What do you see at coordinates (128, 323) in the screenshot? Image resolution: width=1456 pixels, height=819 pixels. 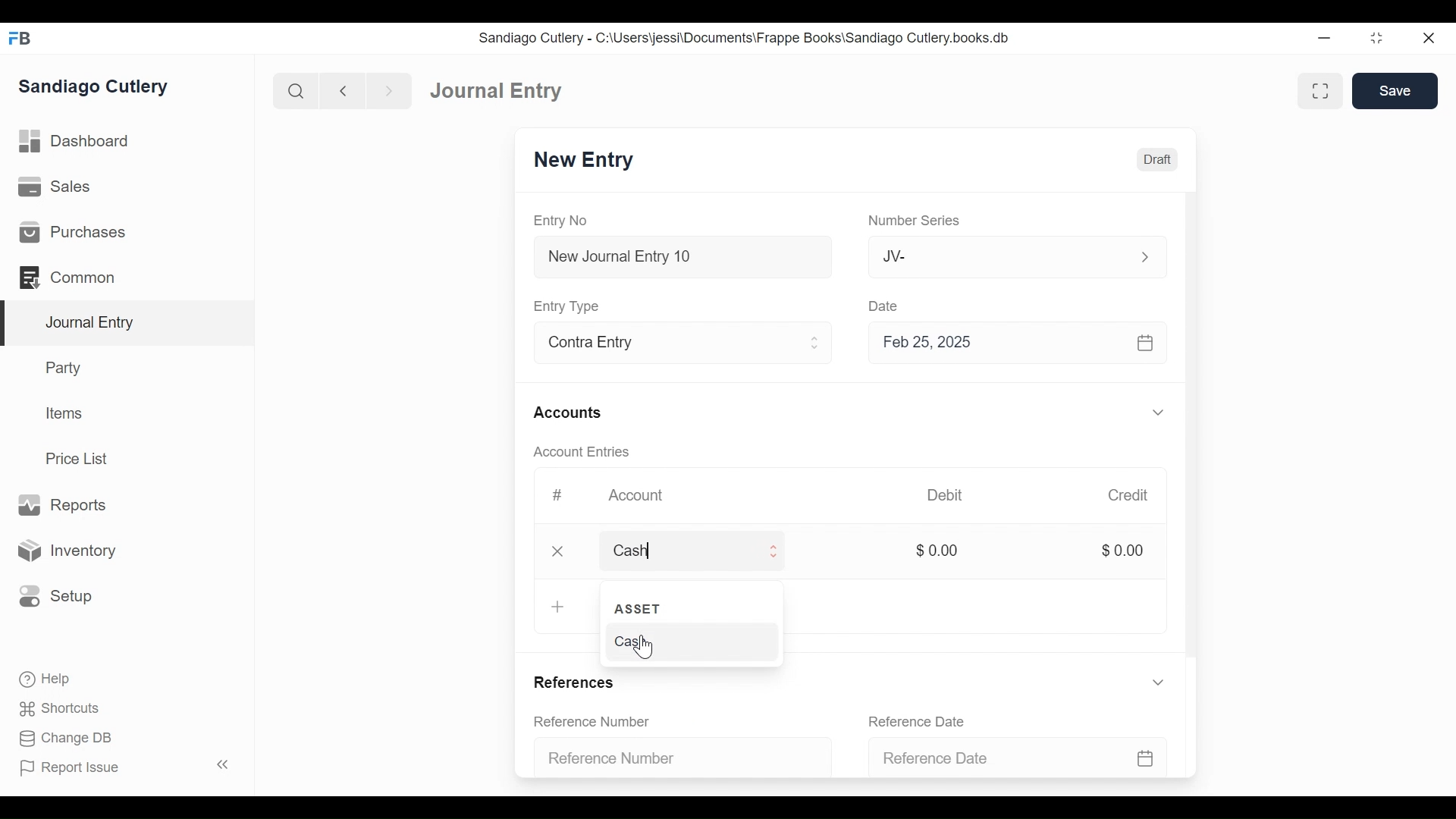 I see `Journal Entry` at bounding box center [128, 323].